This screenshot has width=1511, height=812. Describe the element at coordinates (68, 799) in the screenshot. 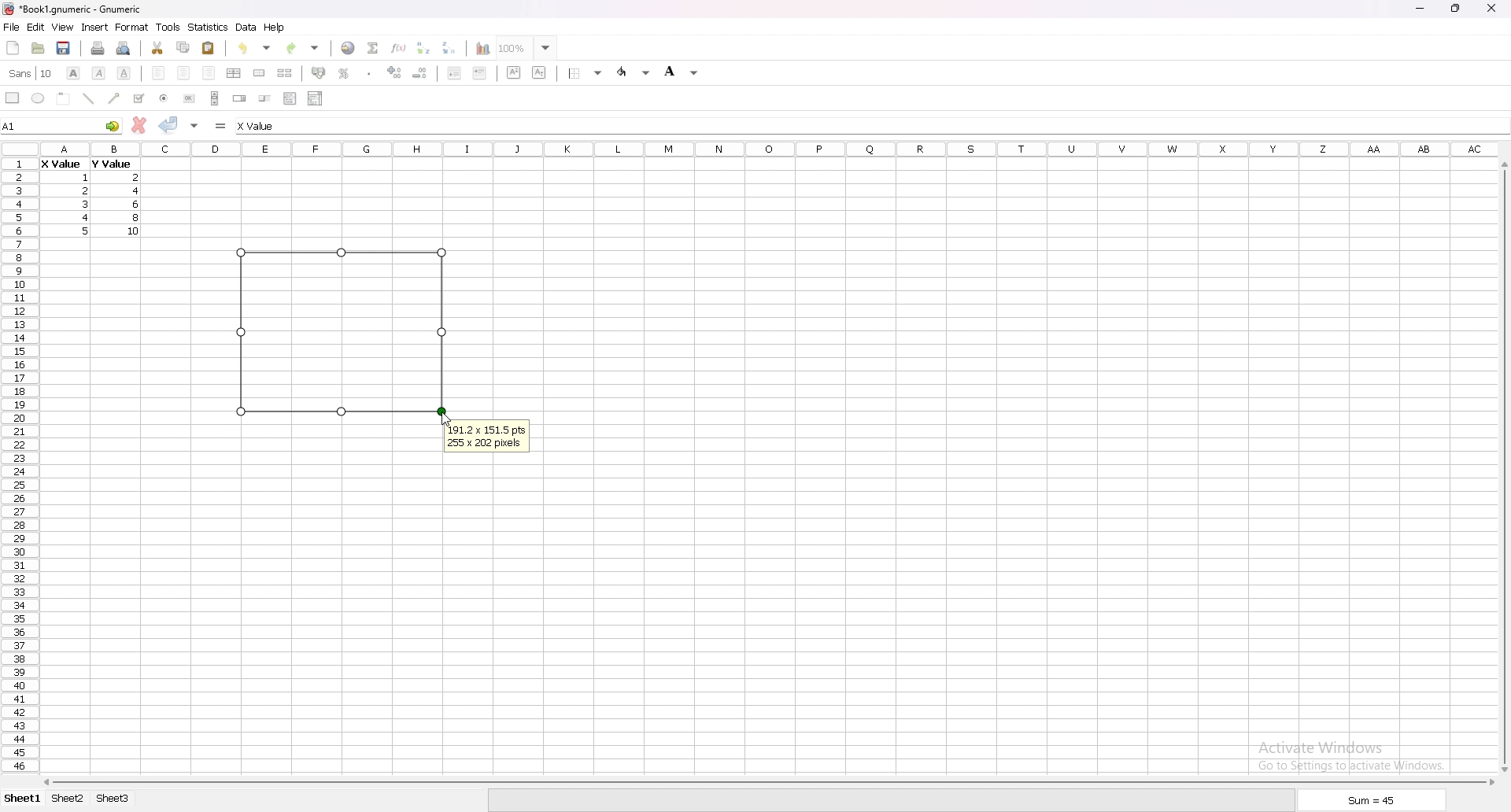

I see `sheet 2` at that location.